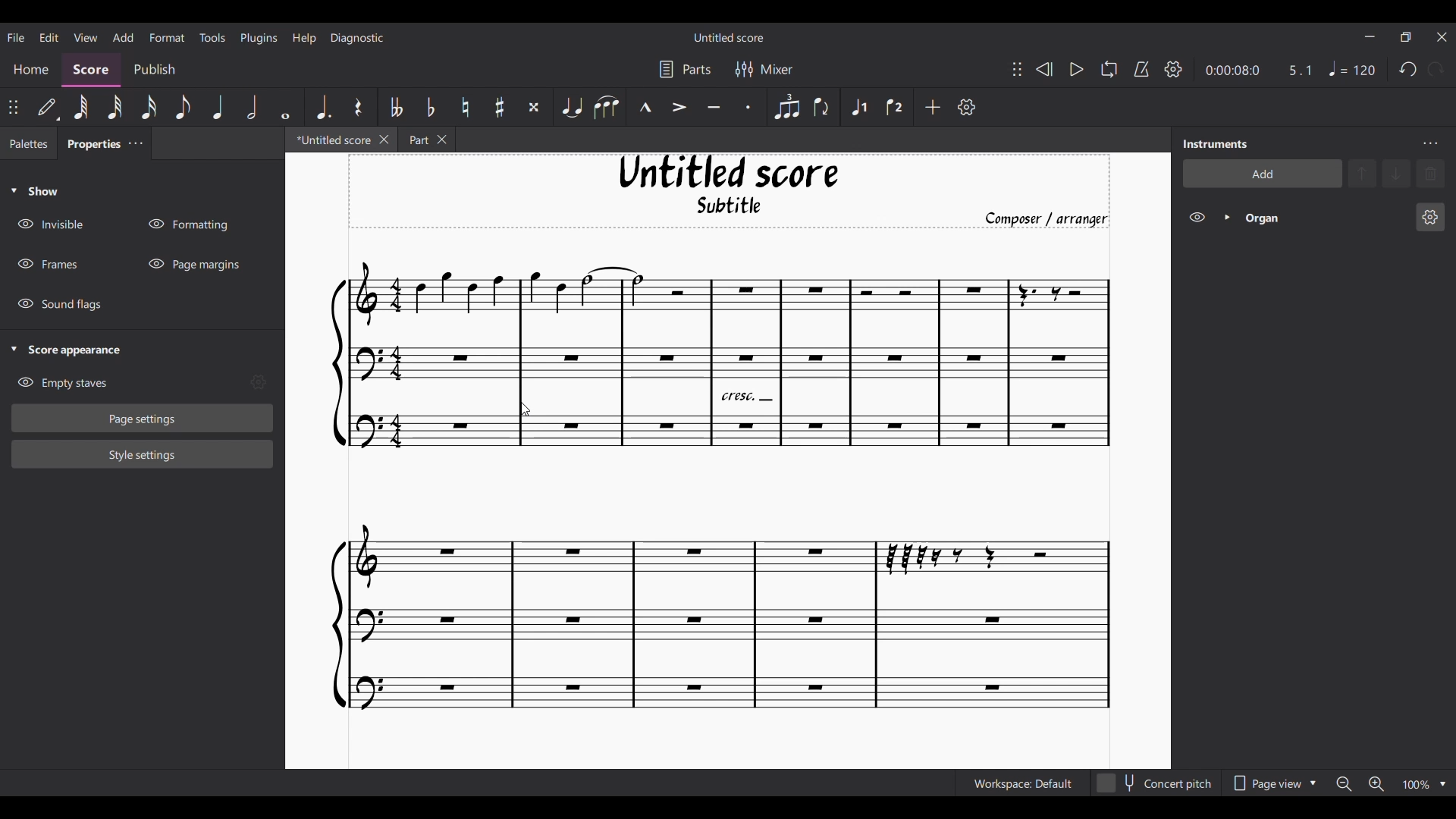 The height and width of the screenshot is (819, 1456). What do you see at coordinates (129, 383) in the screenshot?
I see `Hide Empty staves` at bounding box center [129, 383].